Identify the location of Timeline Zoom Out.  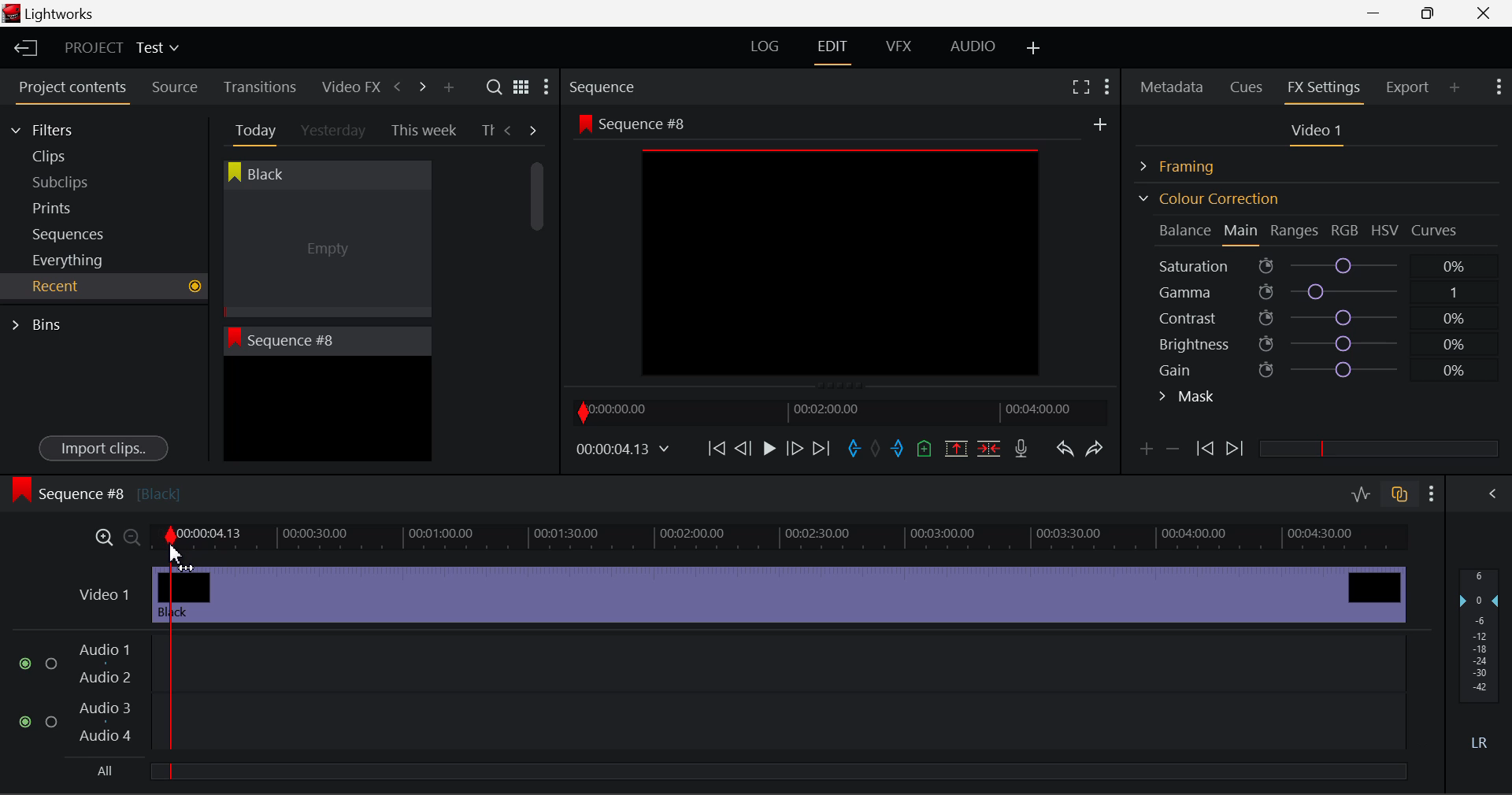
(131, 537).